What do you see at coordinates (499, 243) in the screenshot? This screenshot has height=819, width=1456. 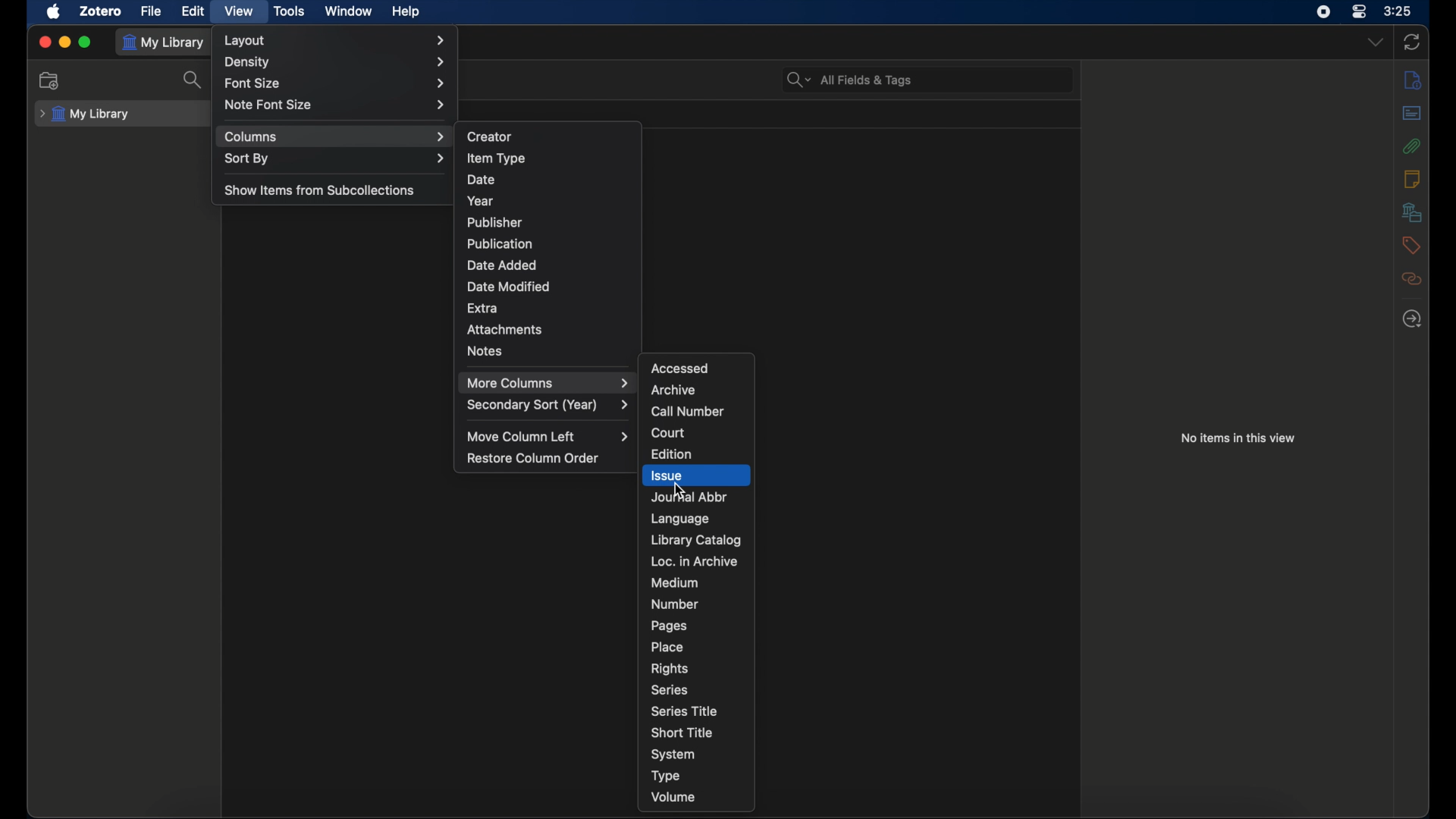 I see `publication` at bounding box center [499, 243].